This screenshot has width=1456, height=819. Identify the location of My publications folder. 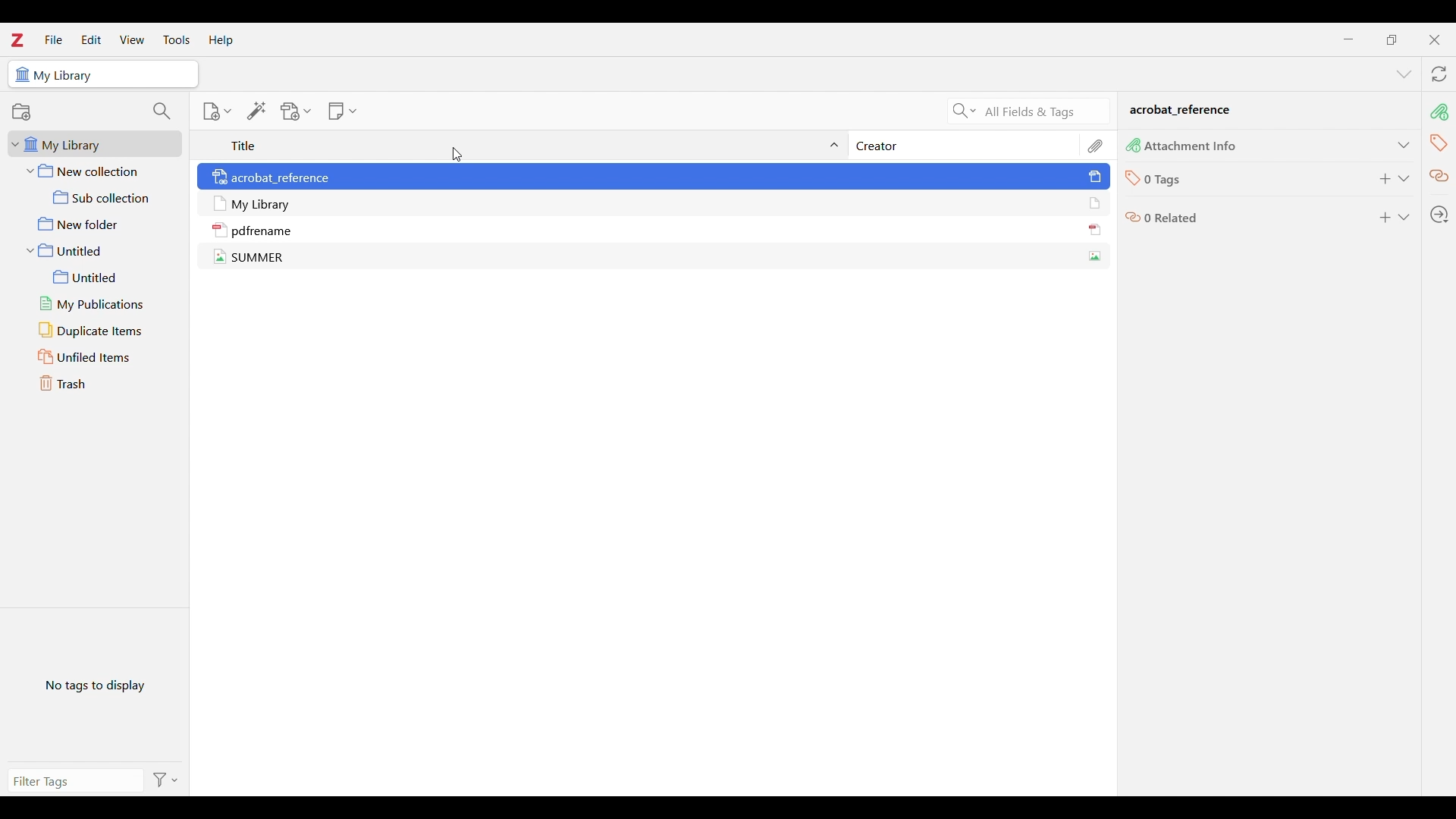
(100, 304).